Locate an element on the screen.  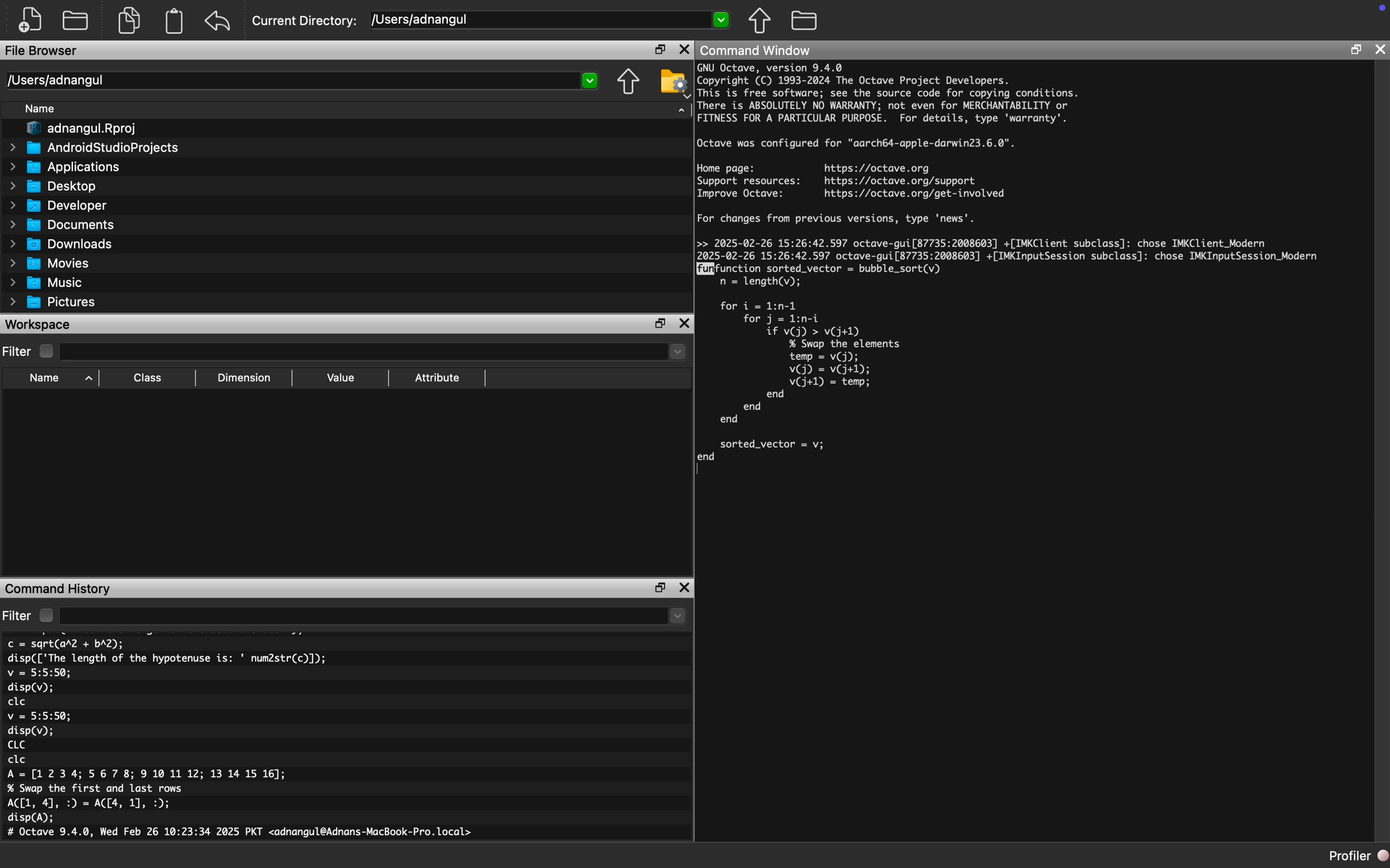
# Octave 9.4.0, Wed Feb 26 10:23:34 2025 PKT <adnangul@Adnans-MacBook-Pro.local> is located at coordinates (243, 834).